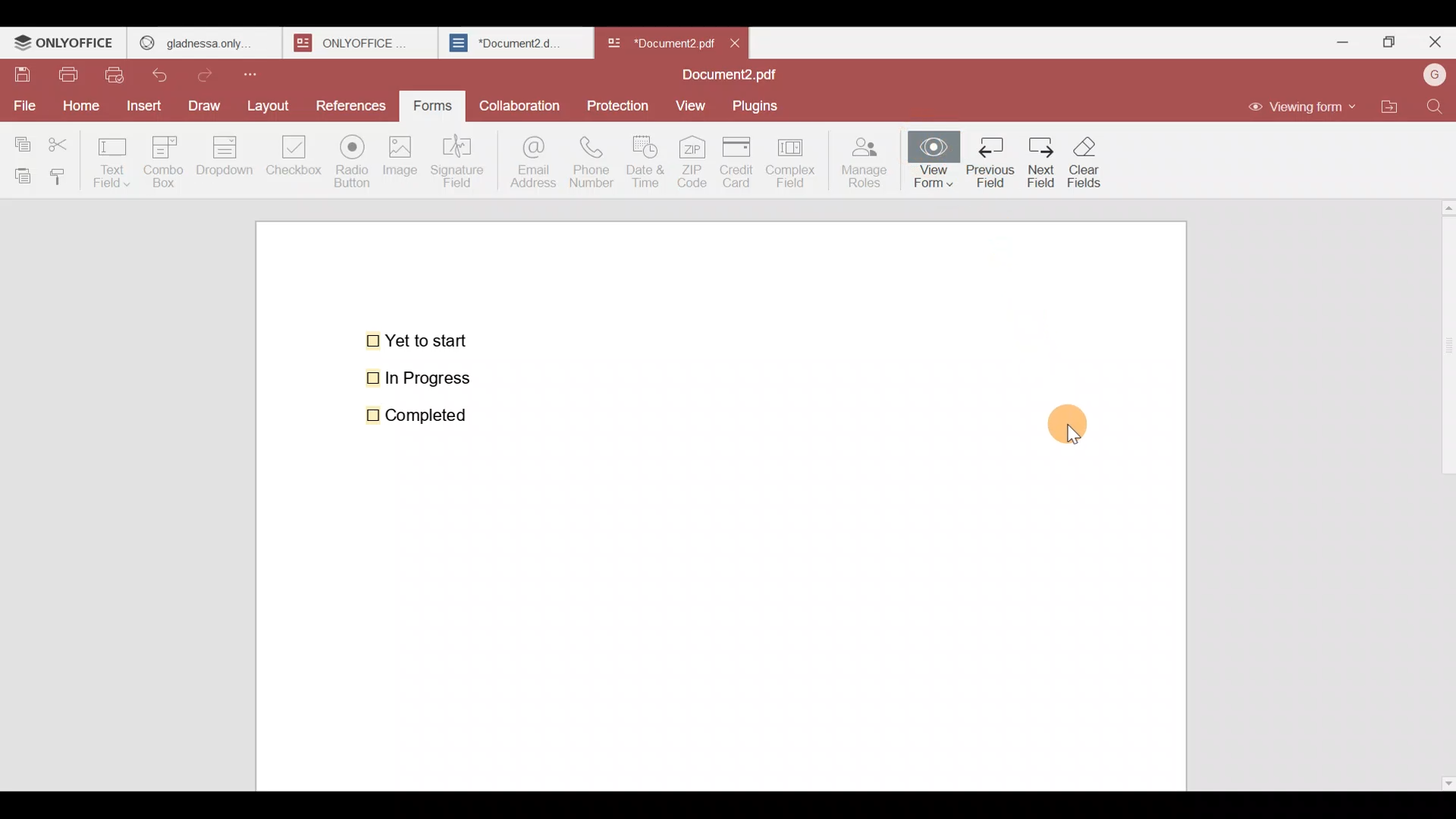 This screenshot has height=819, width=1456. I want to click on Print file, so click(71, 76).